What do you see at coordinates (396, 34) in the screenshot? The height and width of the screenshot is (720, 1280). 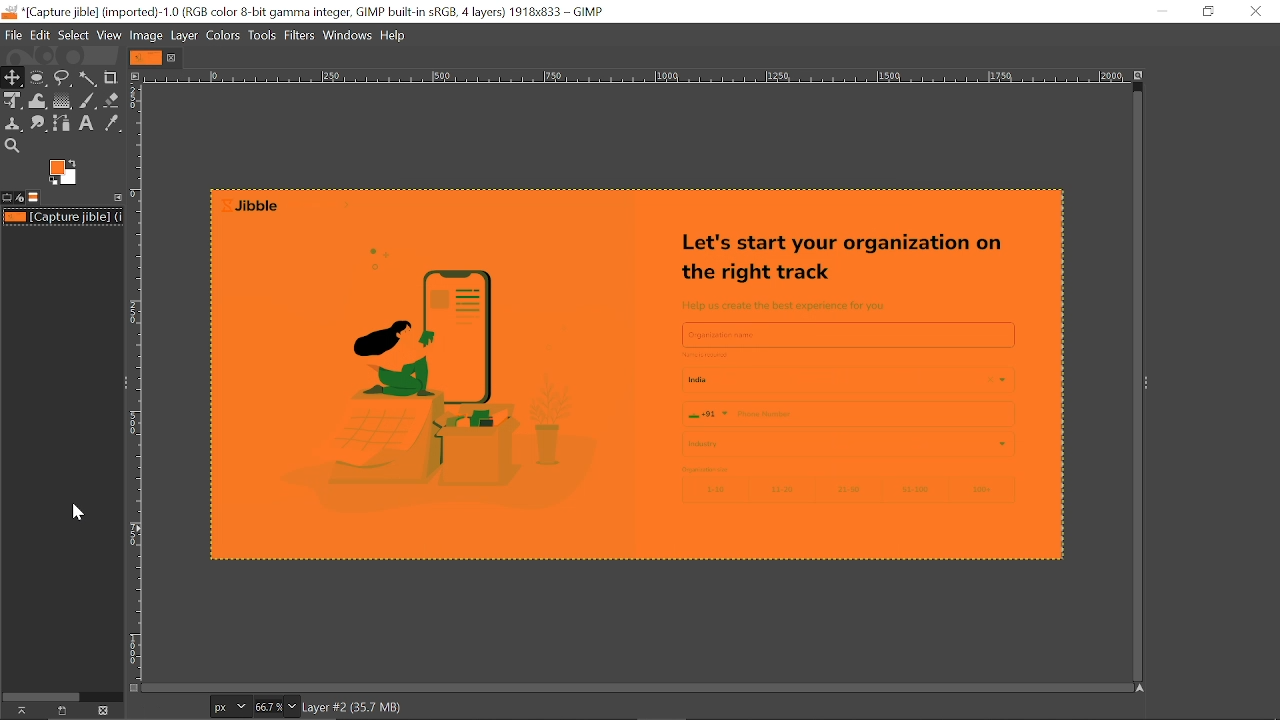 I see `Help` at bounding box center [396, 34].